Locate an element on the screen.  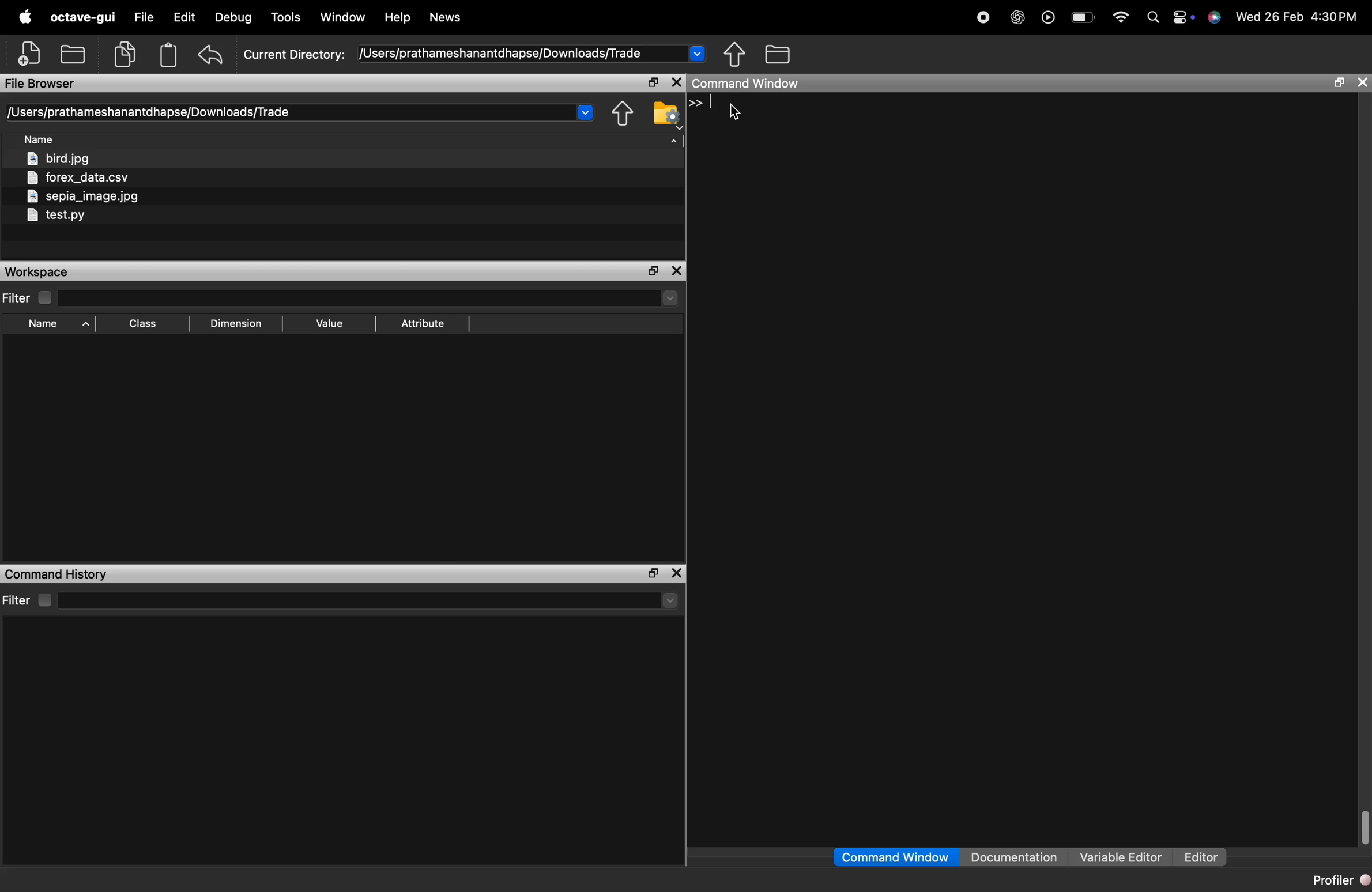
action center is located at coordinates (1185, 17).